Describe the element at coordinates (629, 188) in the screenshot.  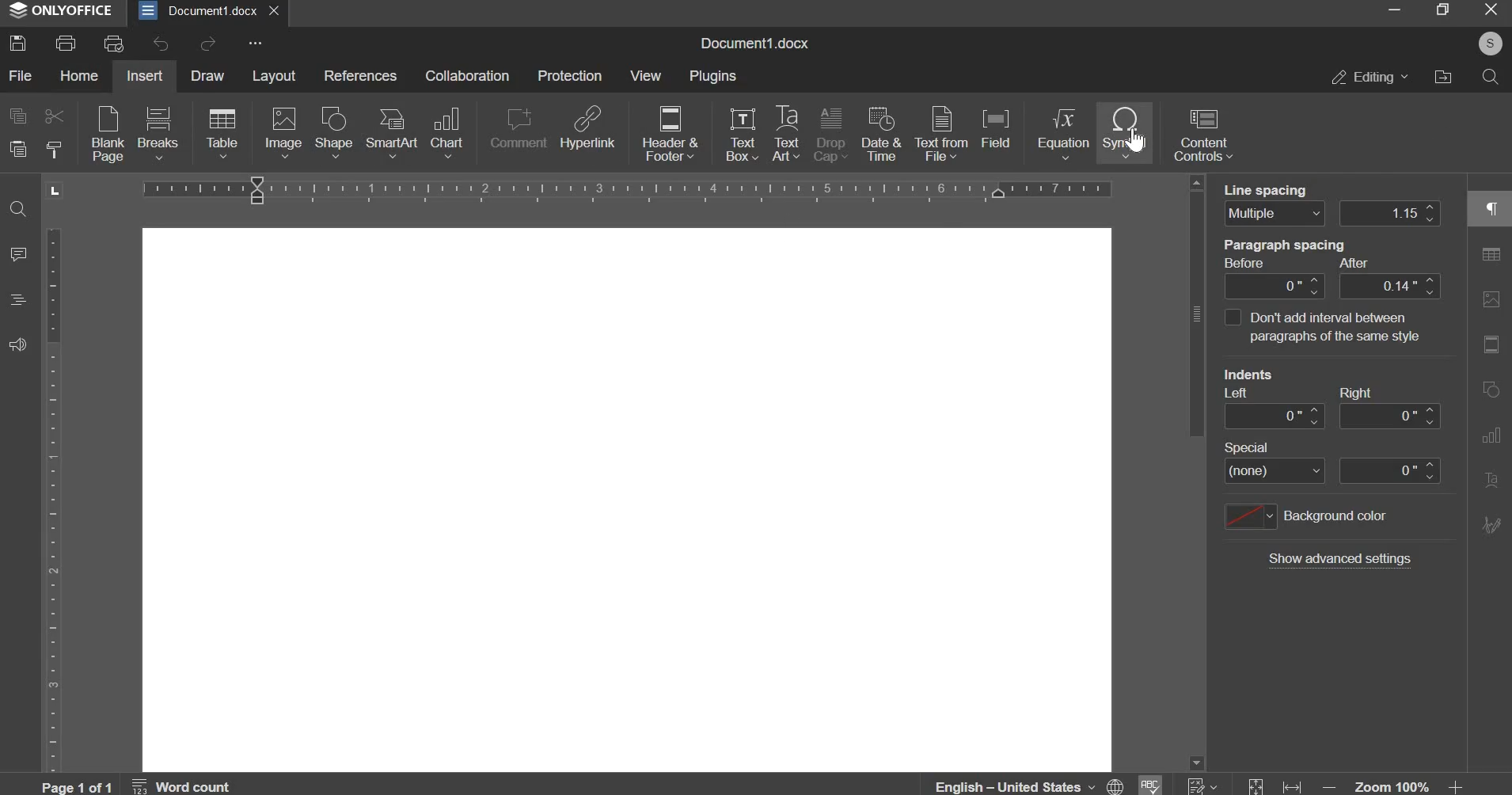
I see `horizontal scale` at that location.